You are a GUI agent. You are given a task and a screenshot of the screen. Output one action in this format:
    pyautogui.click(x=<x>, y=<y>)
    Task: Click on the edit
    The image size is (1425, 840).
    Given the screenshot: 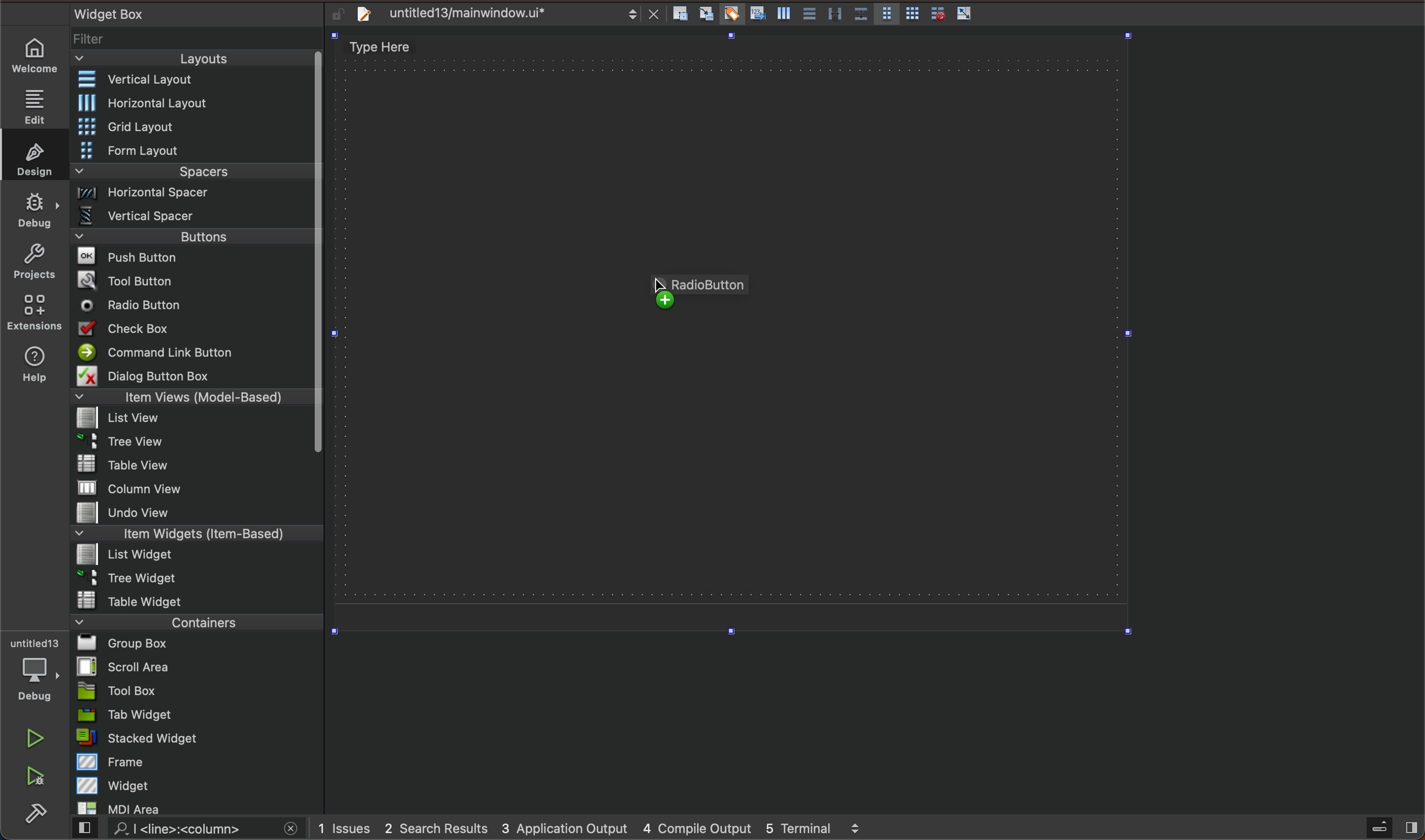 What is the action you would take?
    pyautogui.click(x=40, y=102)
    